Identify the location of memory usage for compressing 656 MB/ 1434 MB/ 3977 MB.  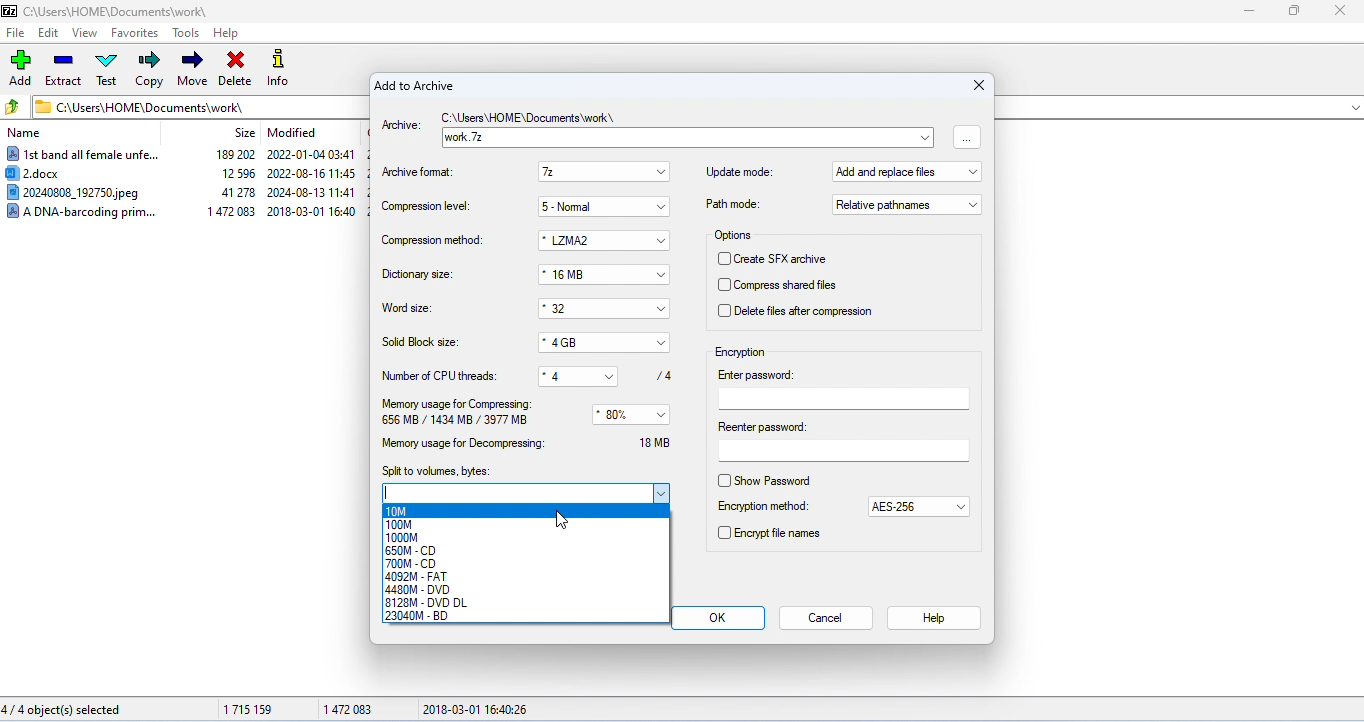
(459, 413).